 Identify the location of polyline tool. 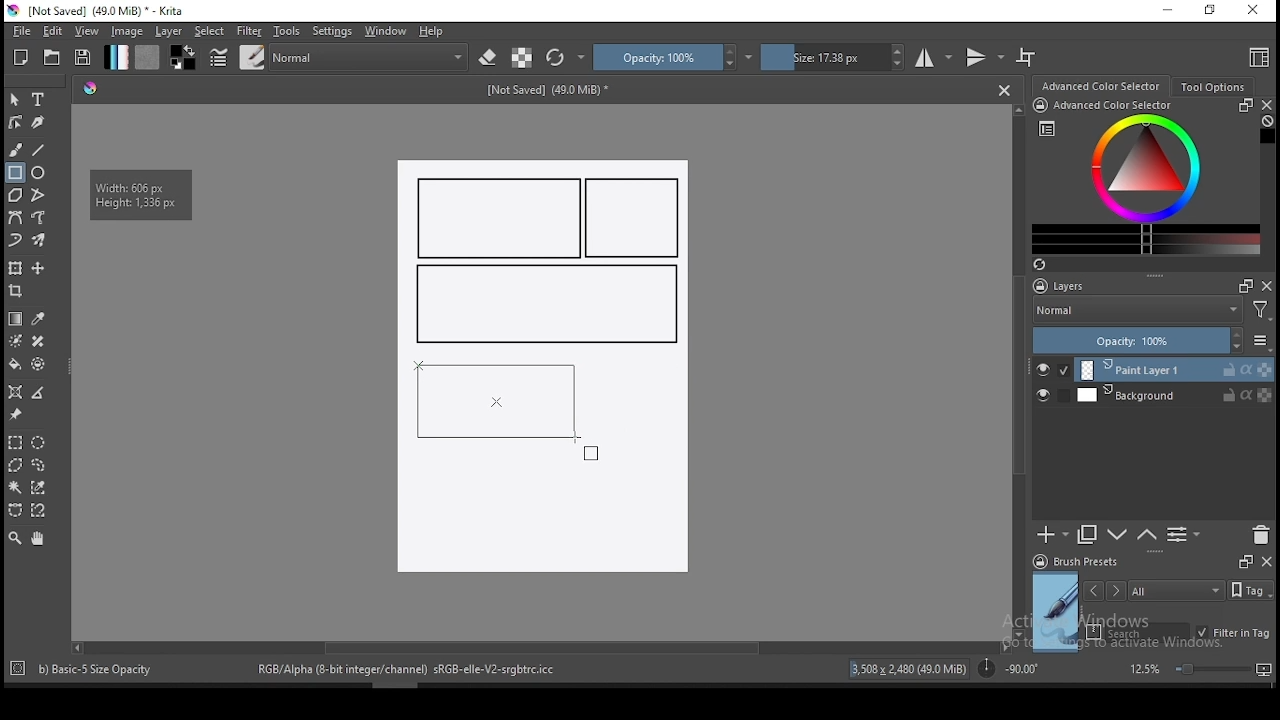
(38, 193).